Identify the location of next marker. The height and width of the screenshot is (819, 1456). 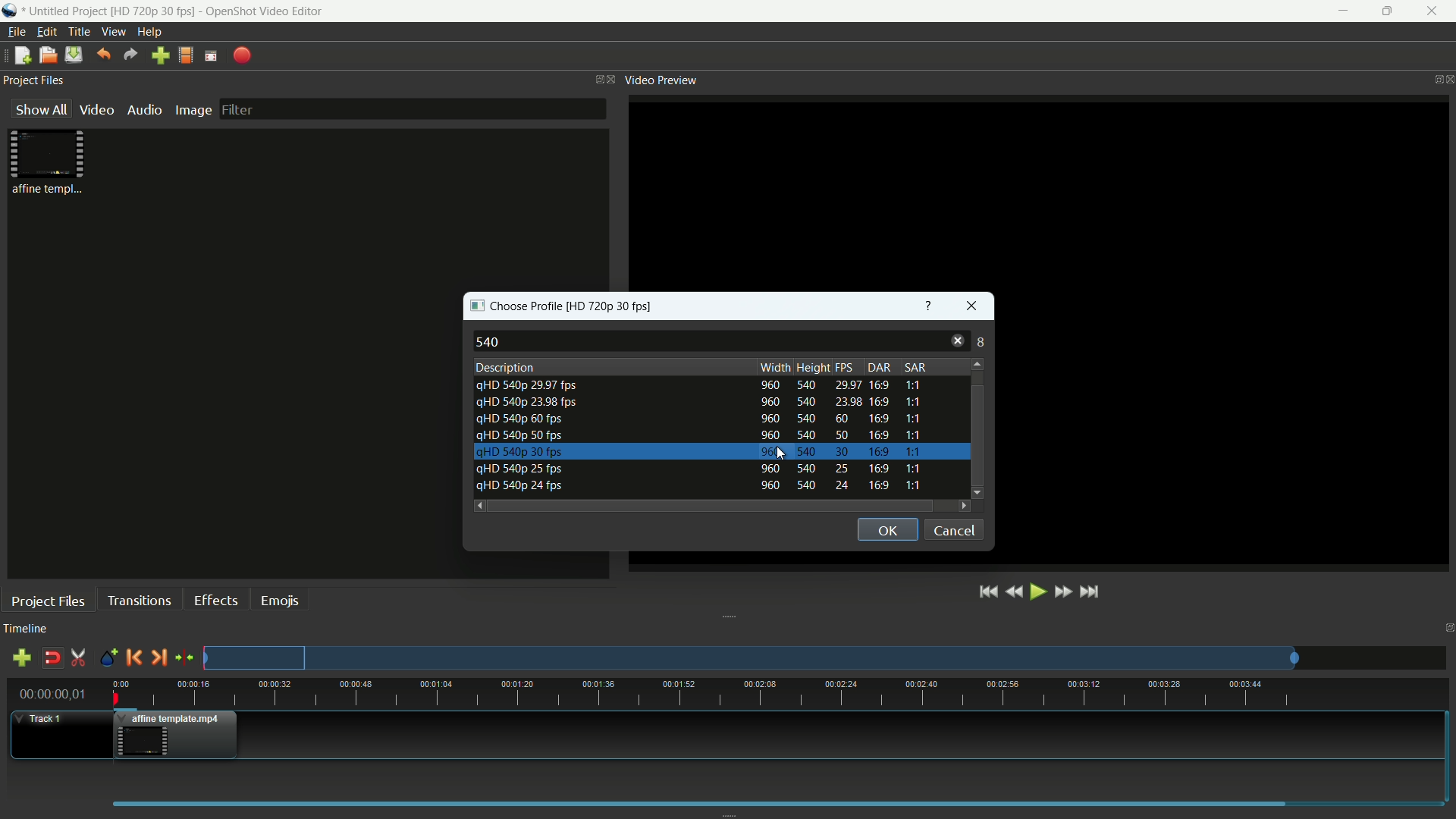
(159, 657).